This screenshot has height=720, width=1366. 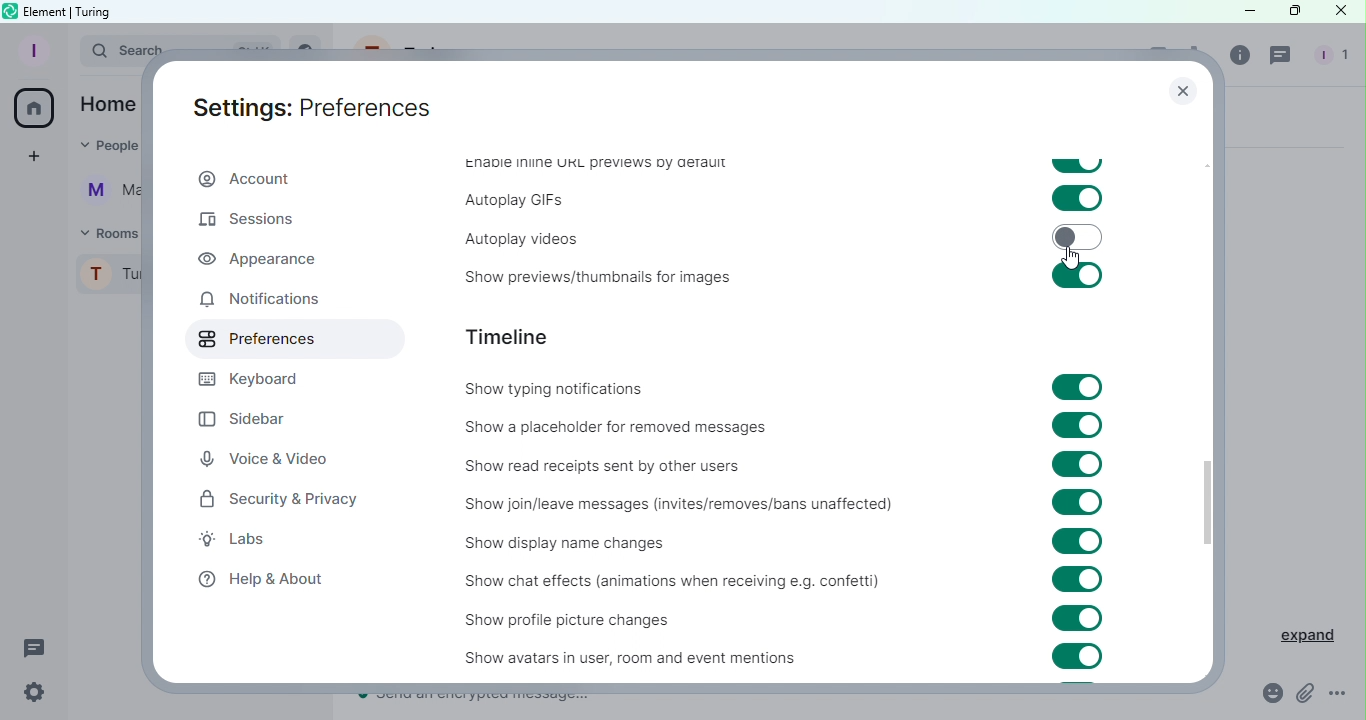 What do you see at coordinates (1241, 60) in the screenshot?
I see `Room info` at bounding box center [1241, 60].